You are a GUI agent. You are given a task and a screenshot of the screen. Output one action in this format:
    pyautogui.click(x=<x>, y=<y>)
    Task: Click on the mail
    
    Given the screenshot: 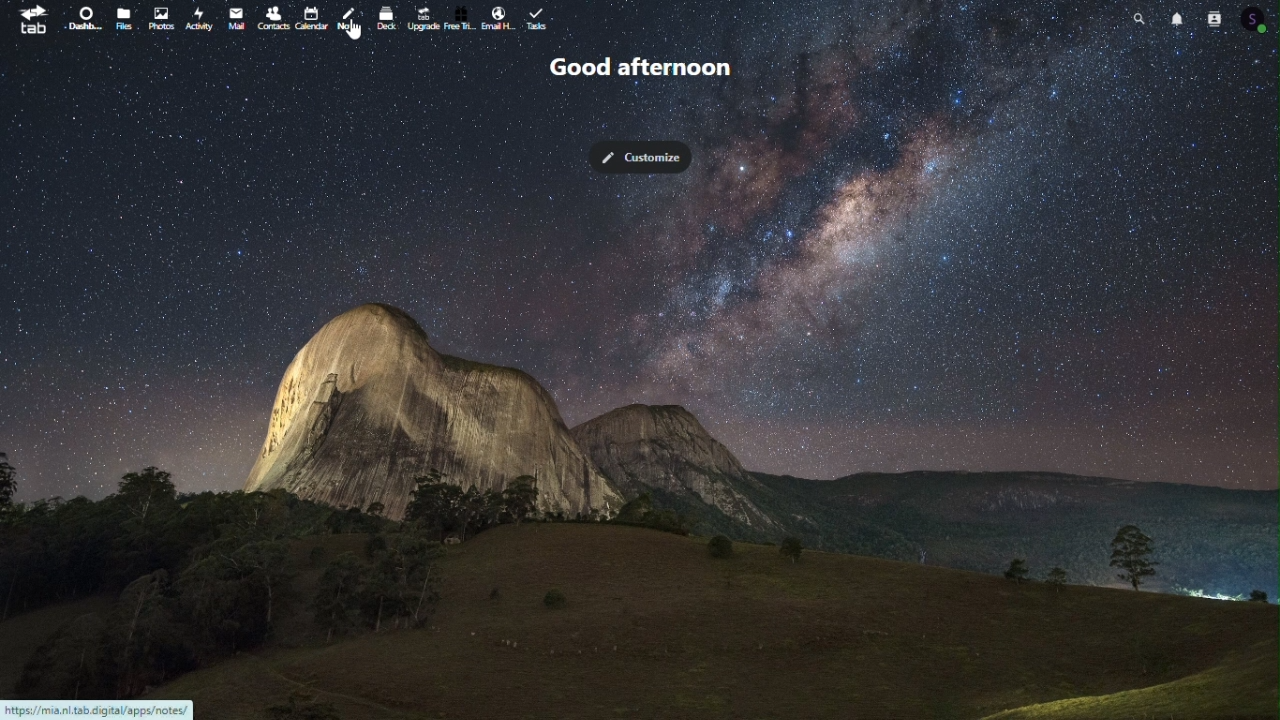 What is the action you would take?
    pyautogui.click(x=231, y=19)
    